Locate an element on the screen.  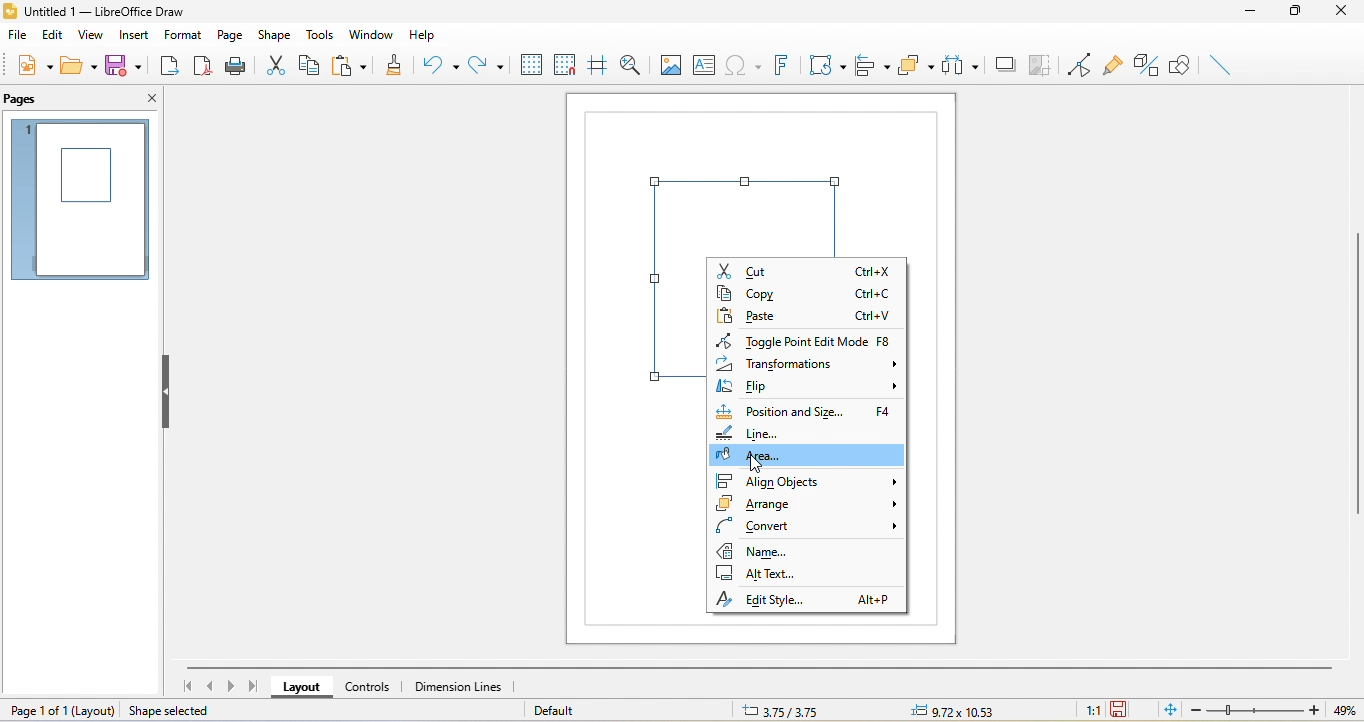
special character is located at coordinates (746, 66).